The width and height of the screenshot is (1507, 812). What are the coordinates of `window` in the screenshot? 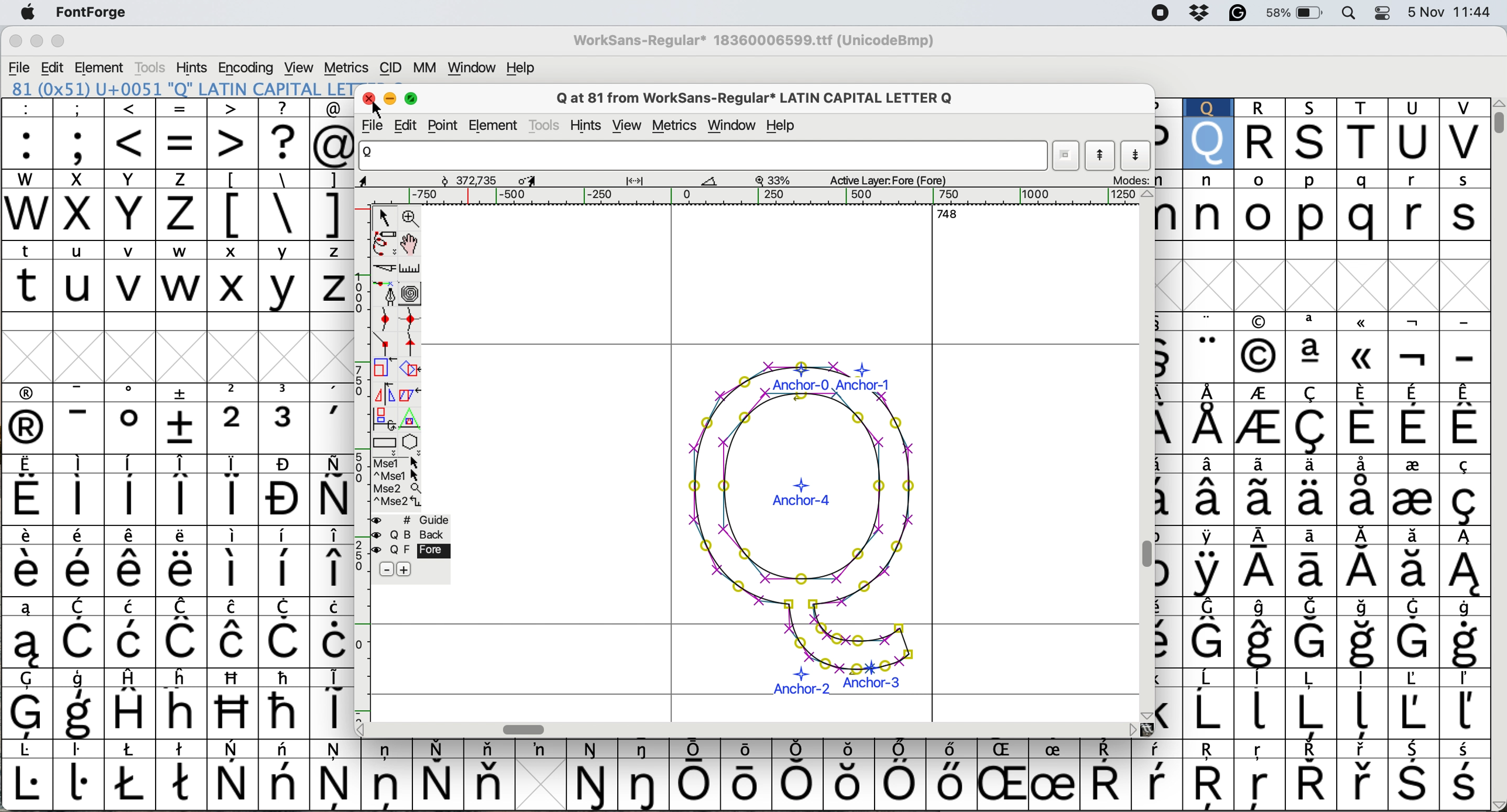 It's located at (473, 67).